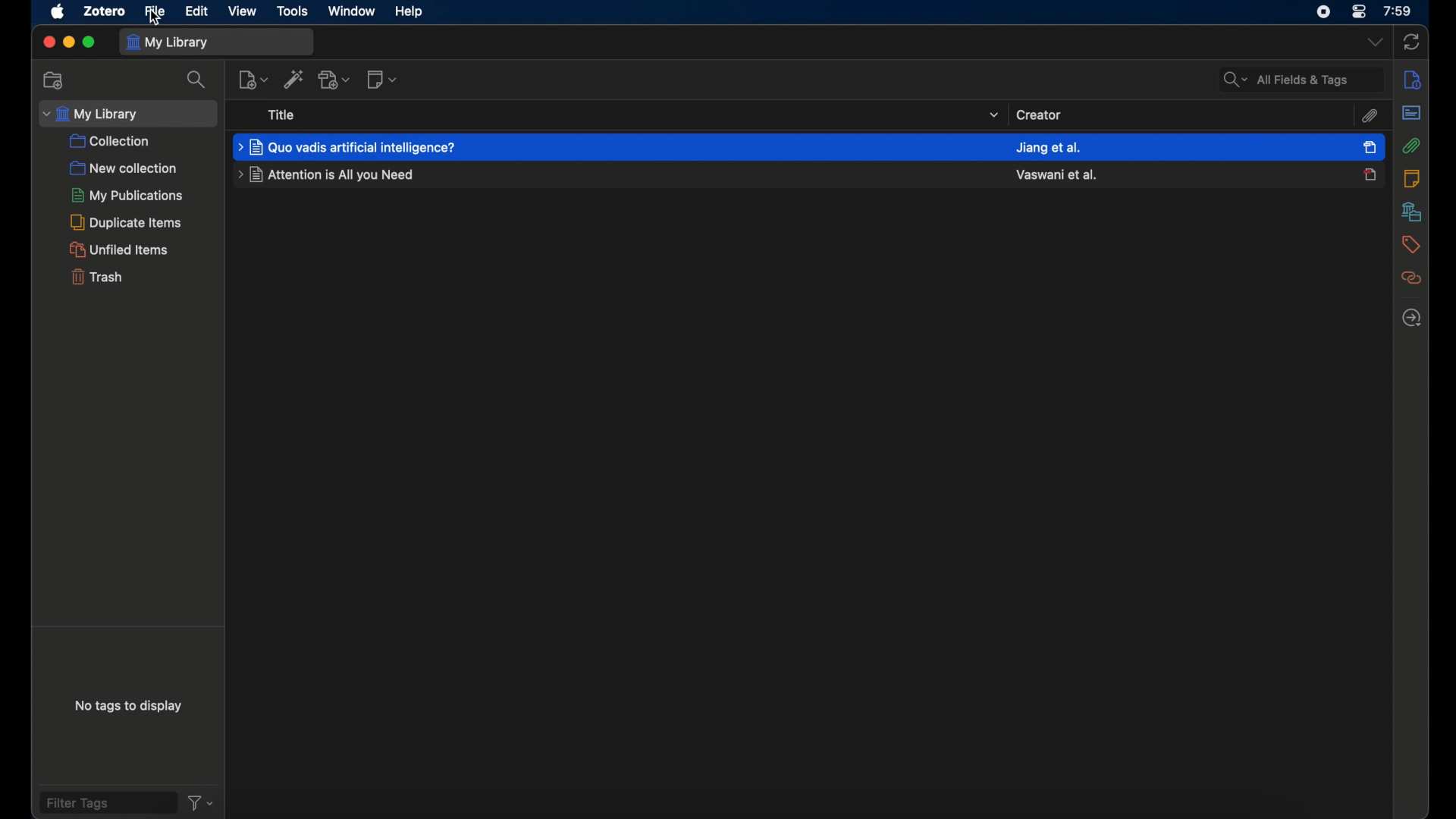  What do you see at coordinates (409, 12) in the screenshot?
I see `help` at bounding box center [409, 12].